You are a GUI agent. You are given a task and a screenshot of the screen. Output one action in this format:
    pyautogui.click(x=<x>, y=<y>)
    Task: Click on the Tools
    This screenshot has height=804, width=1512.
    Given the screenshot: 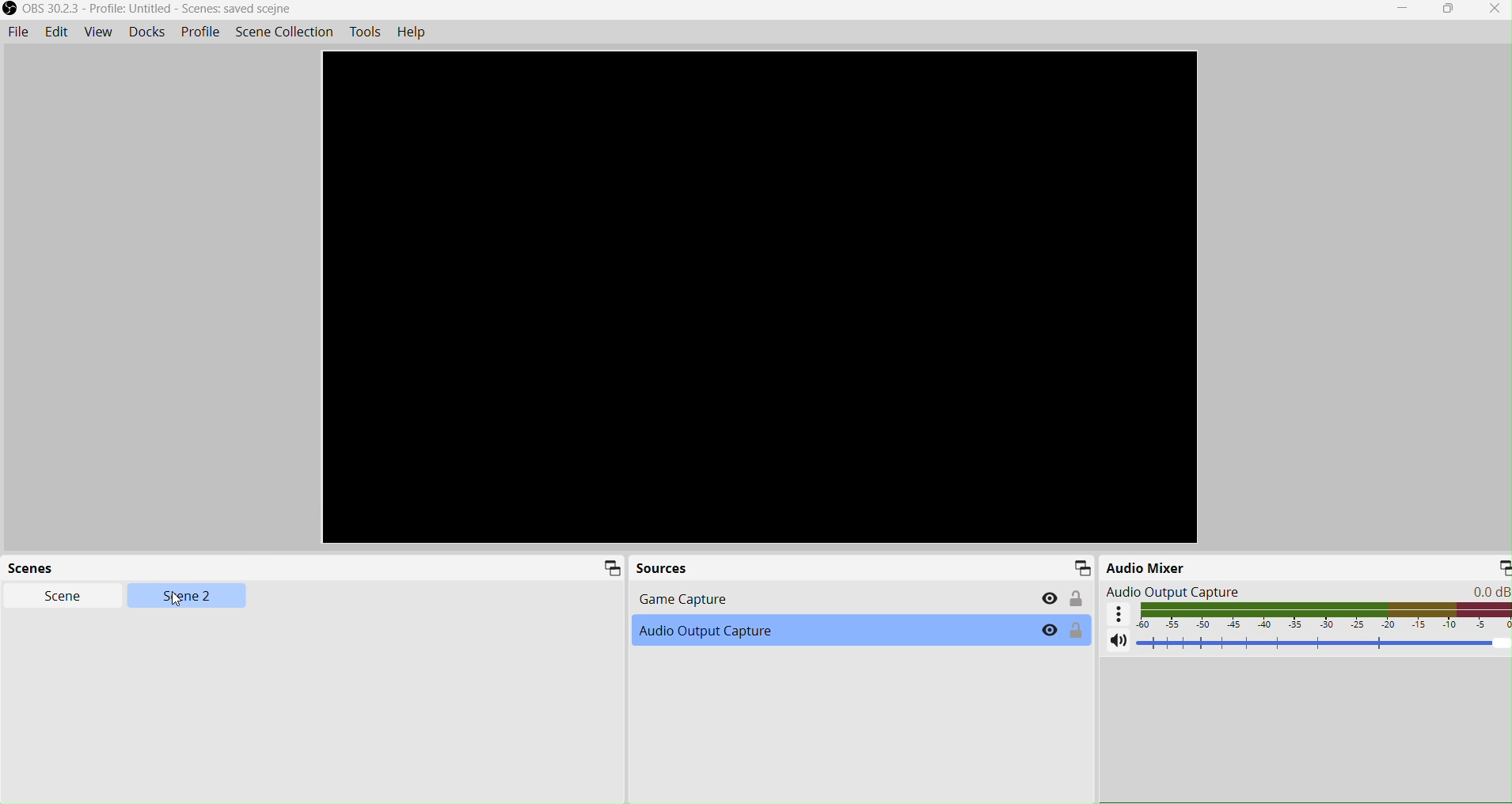 What is the action you would take?
    pyautogui.click(x=368, y=32)
    